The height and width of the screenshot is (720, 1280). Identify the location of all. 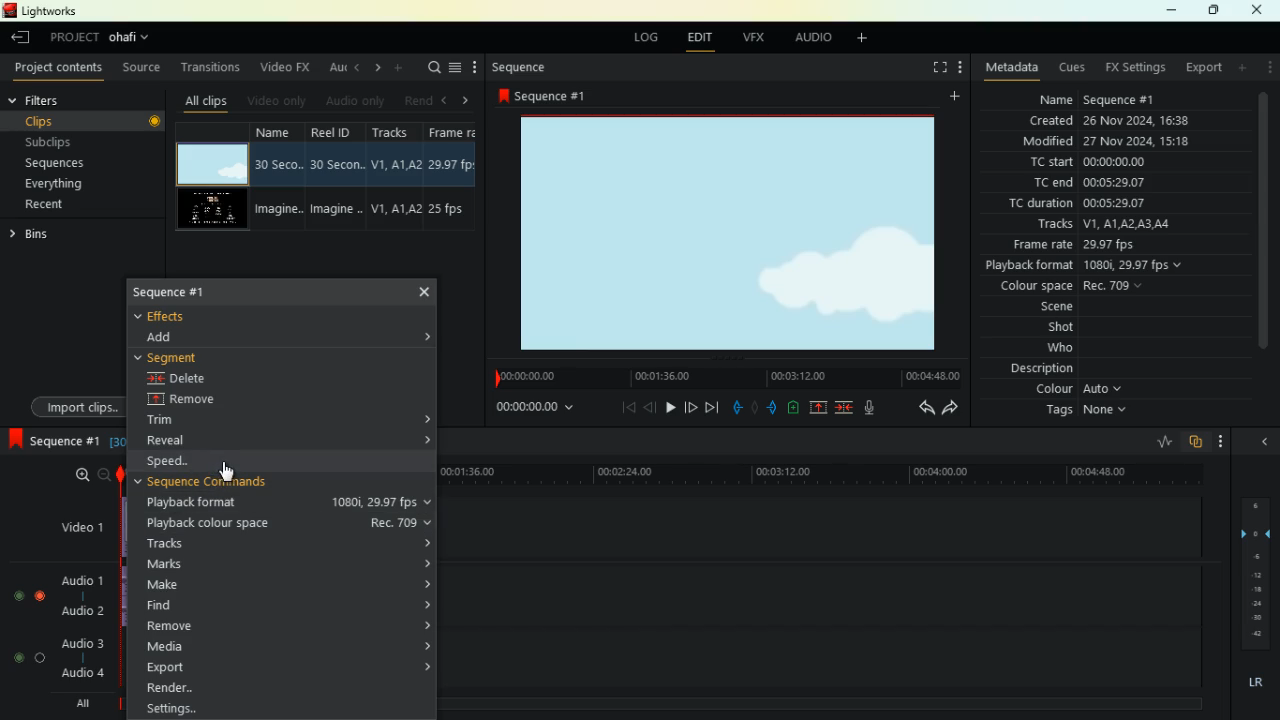
(86, 706).